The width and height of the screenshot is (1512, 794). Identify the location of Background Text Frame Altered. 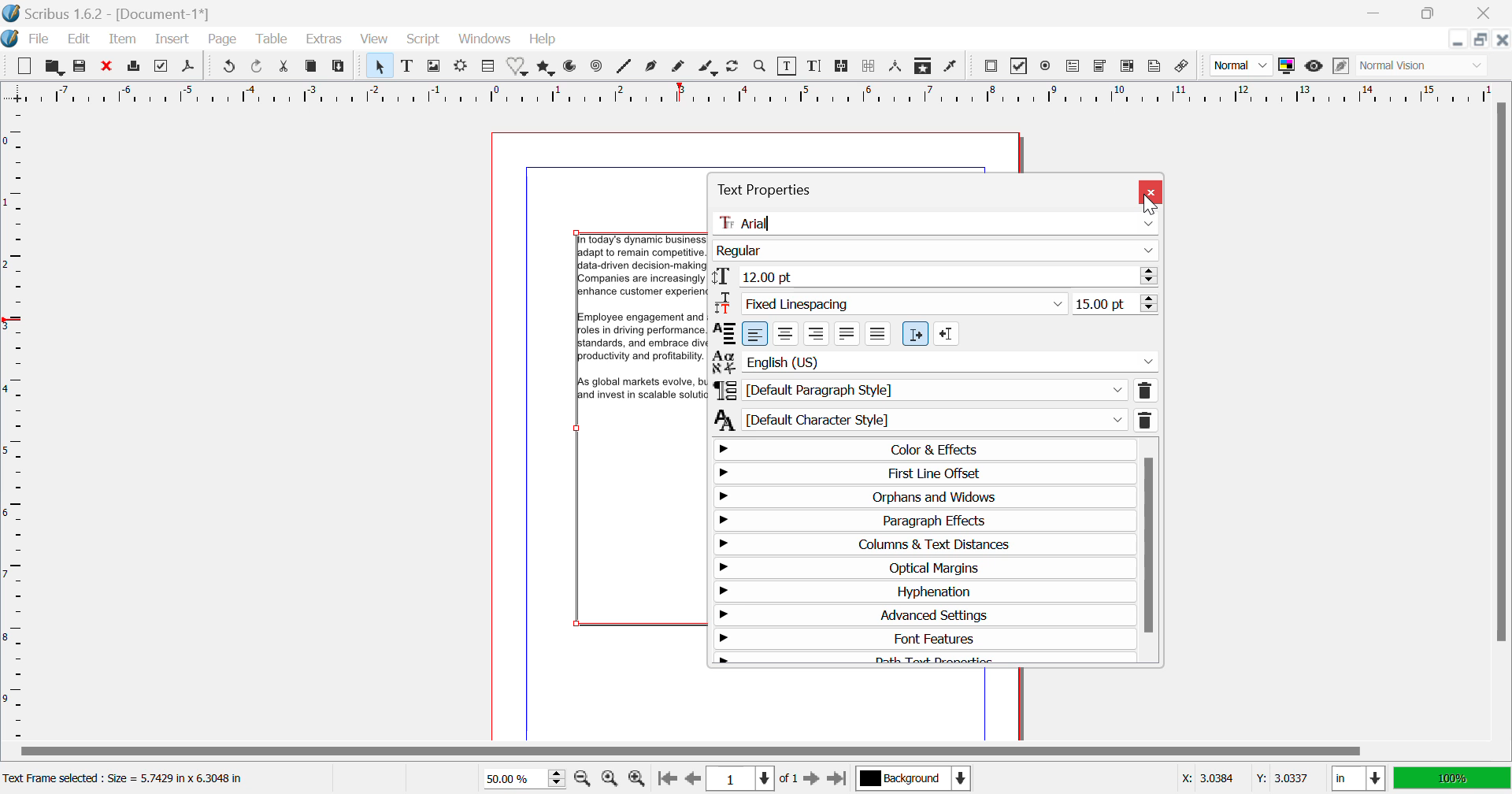
(637, 333).